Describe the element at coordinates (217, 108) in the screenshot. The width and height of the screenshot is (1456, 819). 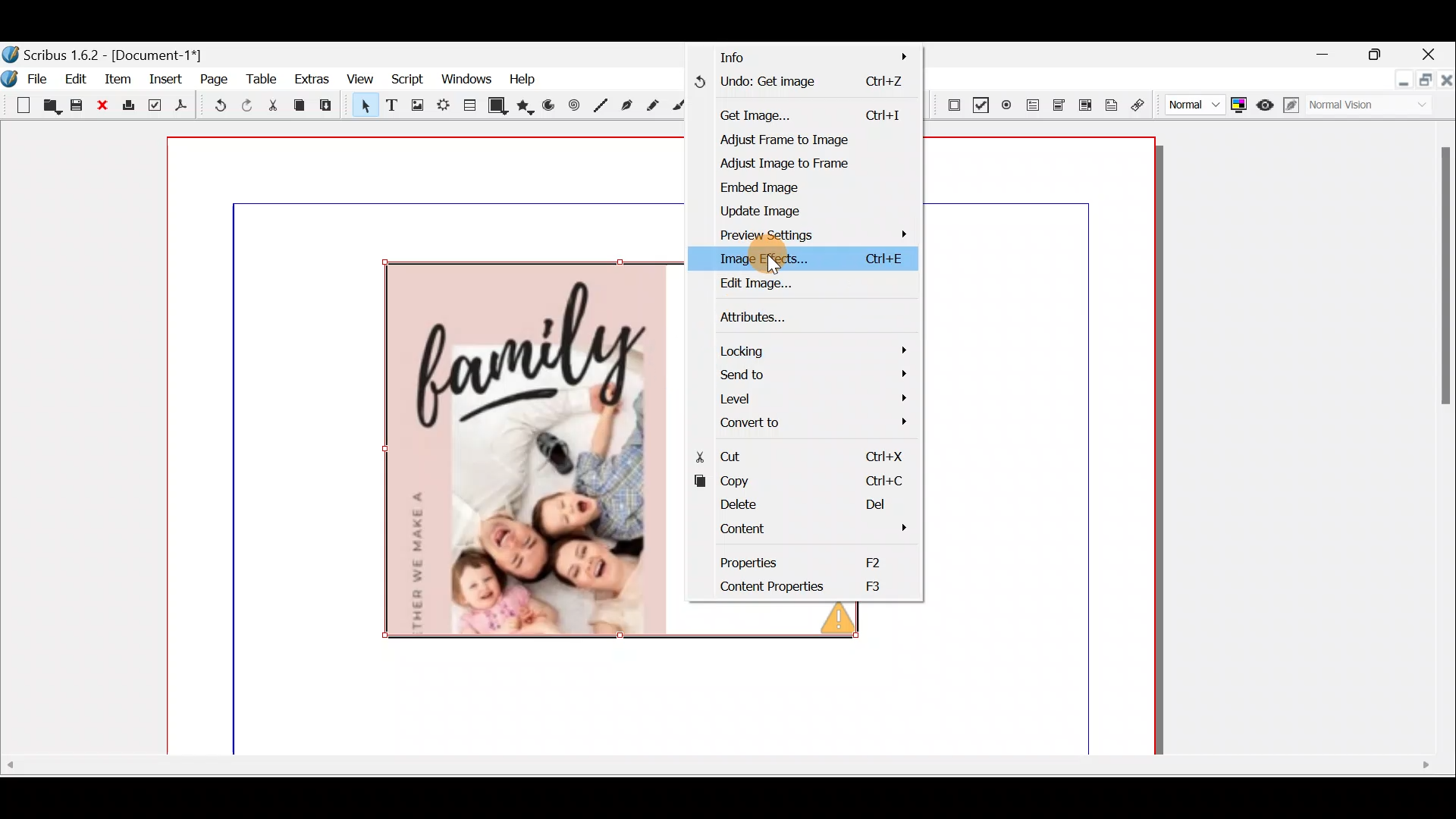
I see `Undo` at that location.